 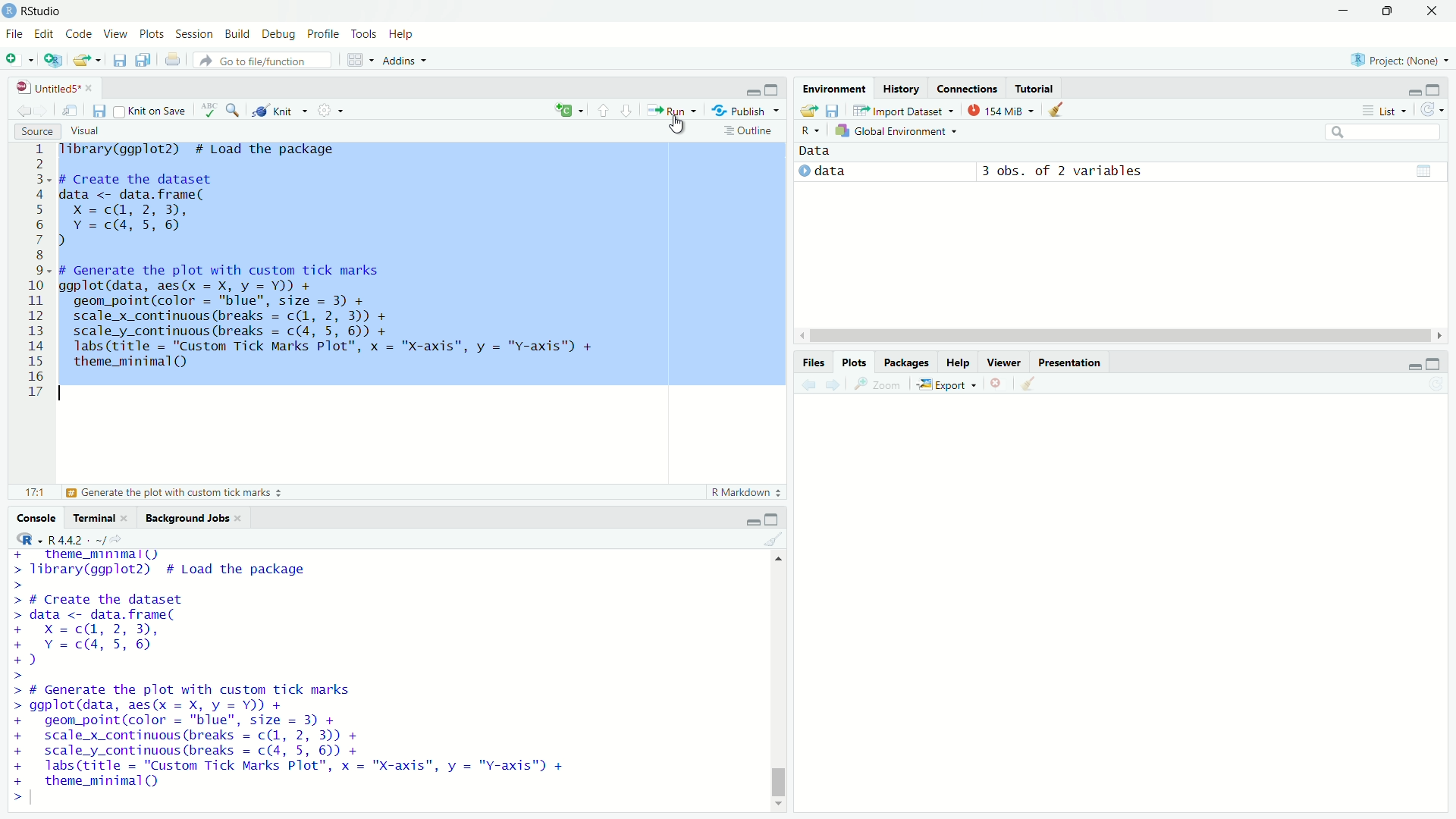 What do you see at coordinates (805, 131) in the screenshot?
I see `select language` at bounding box center [805, 131].